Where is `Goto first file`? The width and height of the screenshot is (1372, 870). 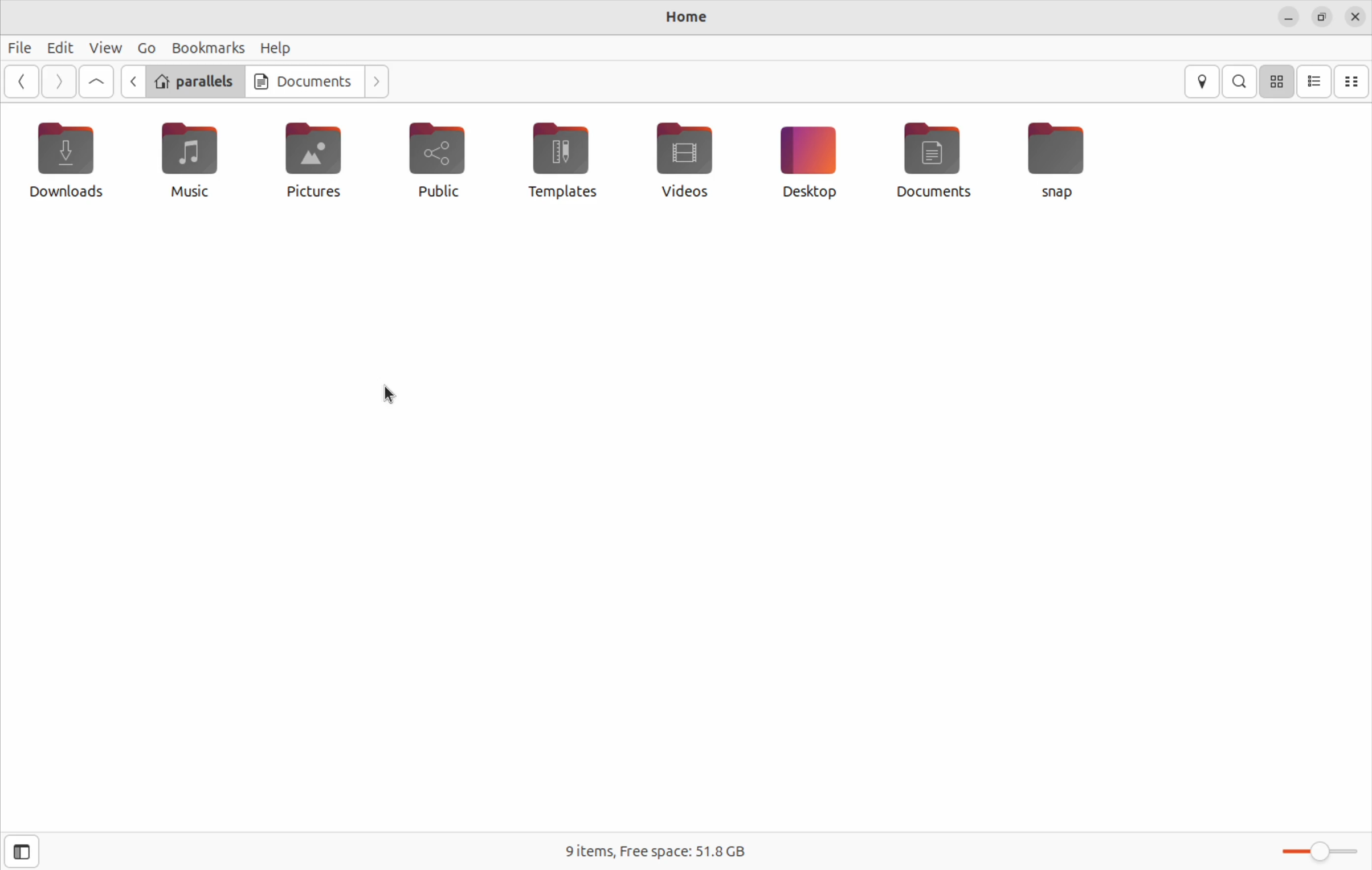 Goto first file is located at coordinates (95, 81).